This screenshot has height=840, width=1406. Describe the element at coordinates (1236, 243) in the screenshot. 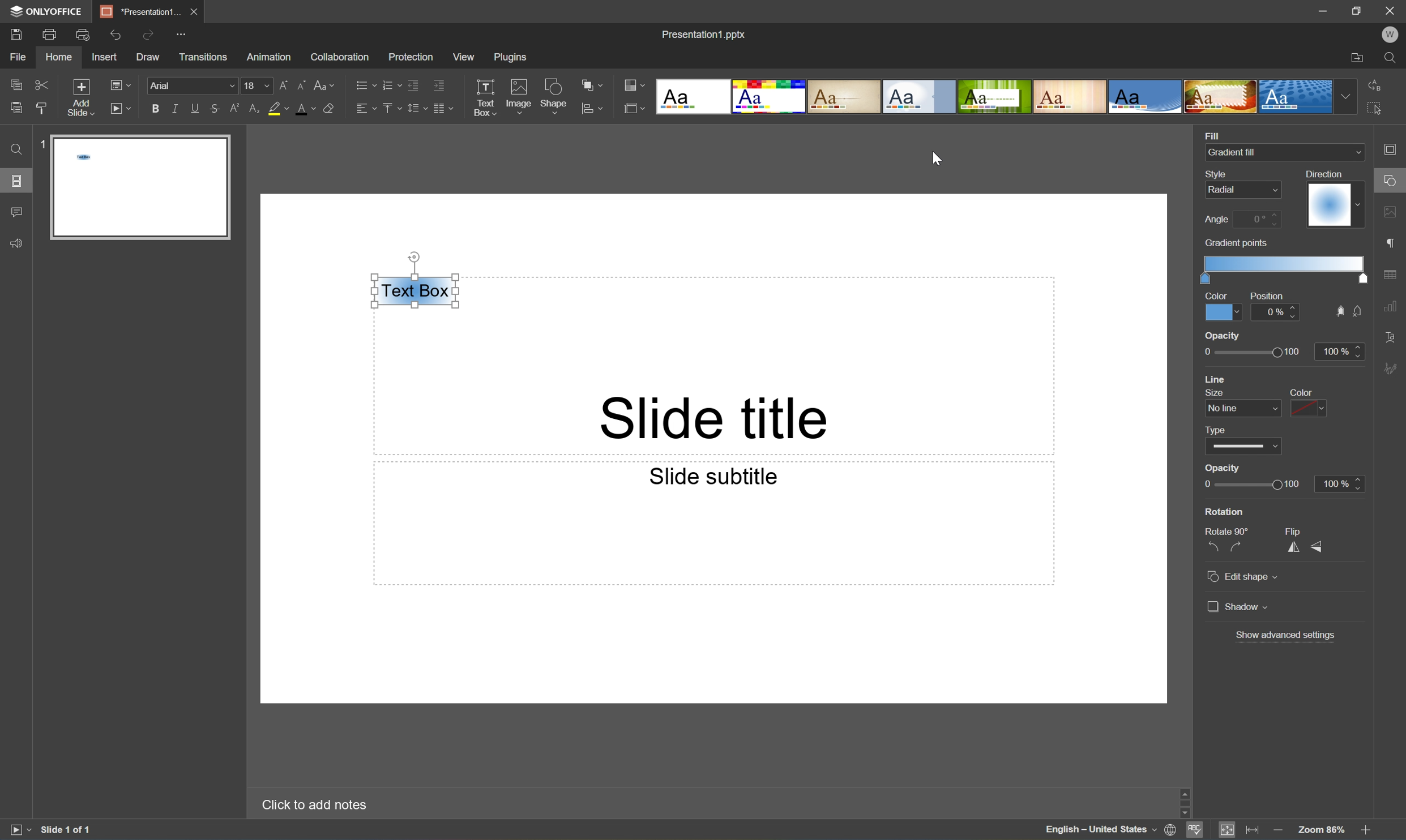

I see `Gradient points` at that location.